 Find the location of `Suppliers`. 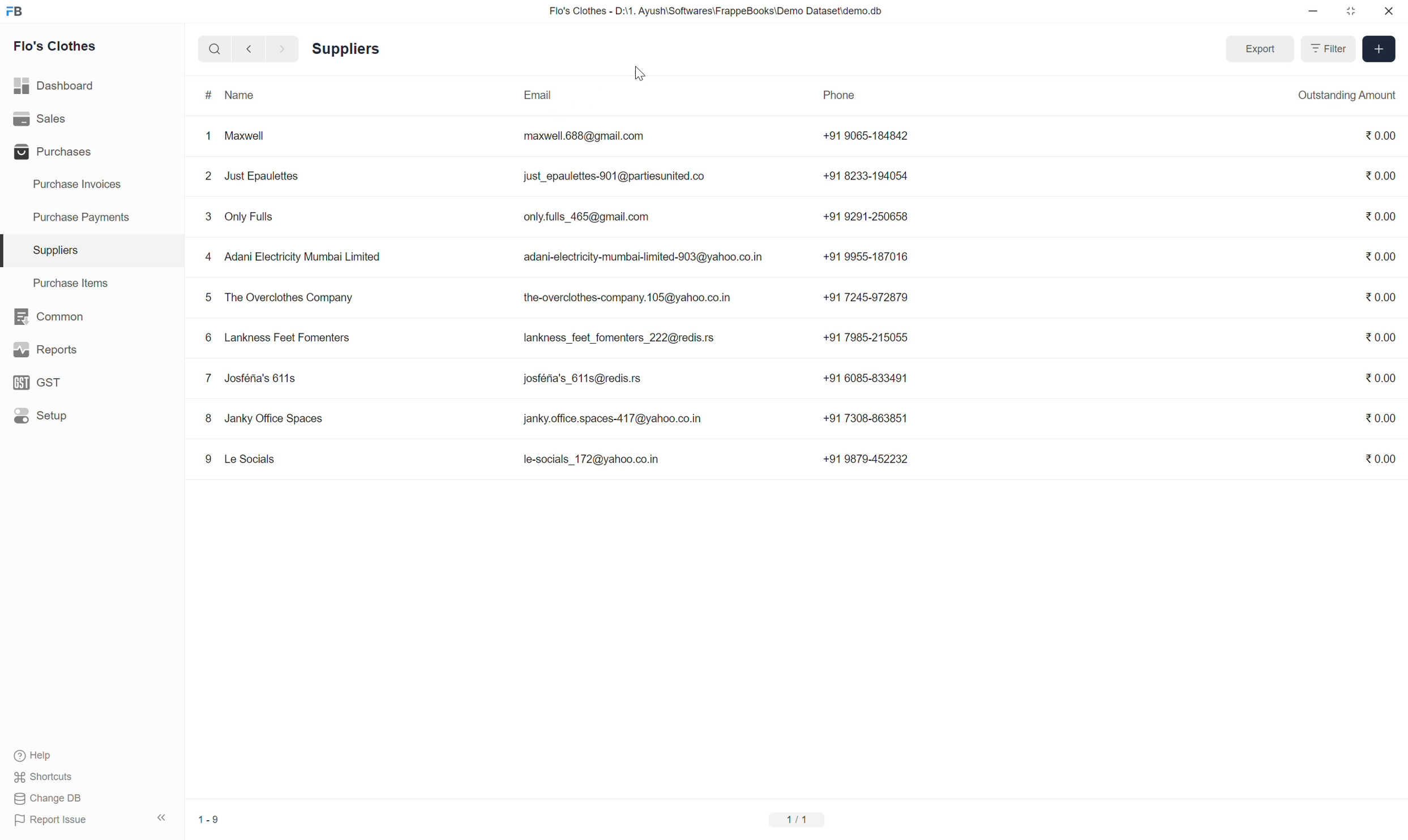

Suppliers is located at coordinates (344, 50).